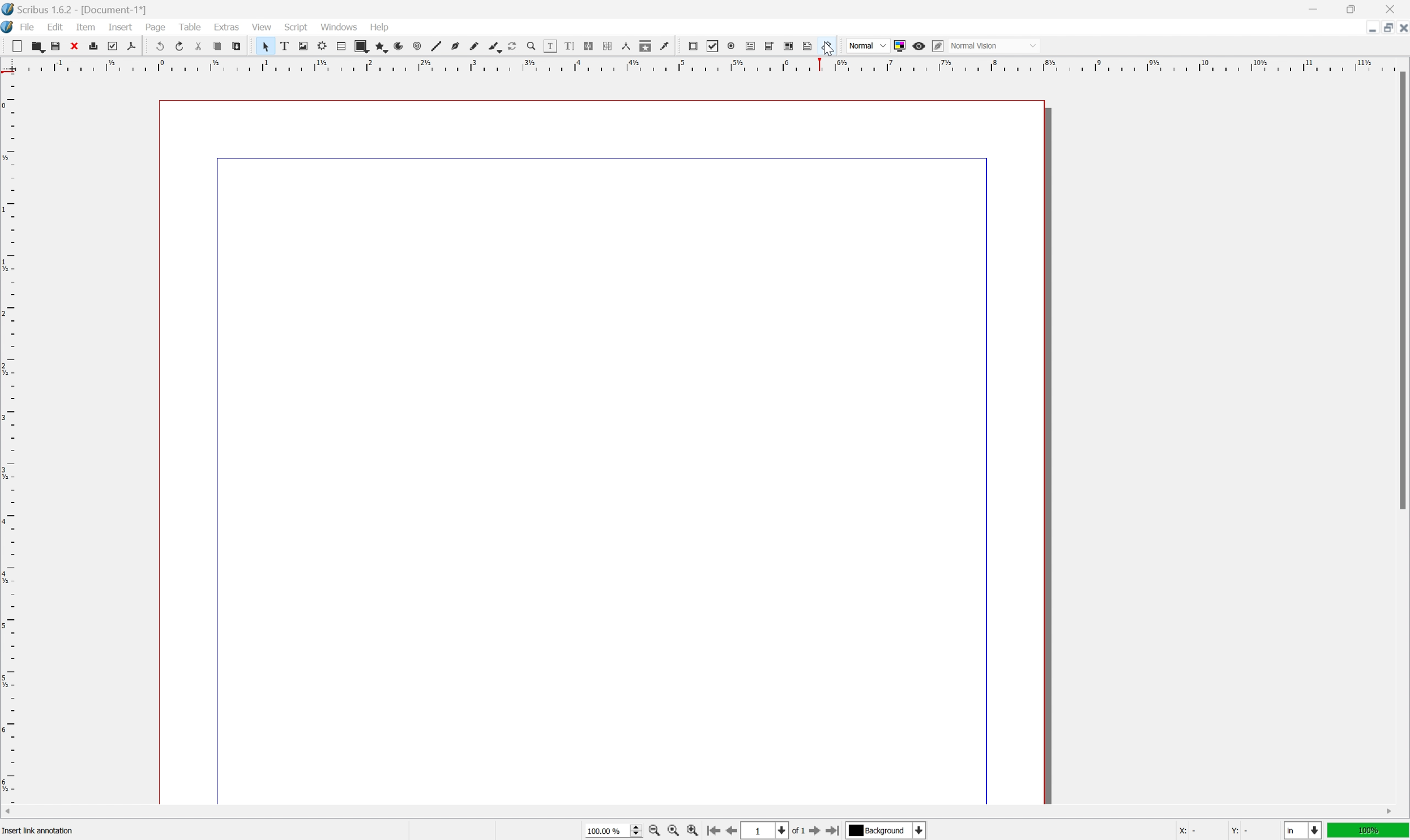  Describe the element at coordinates (1302, 830) in the screenshot. I see `select current unit` at that location.